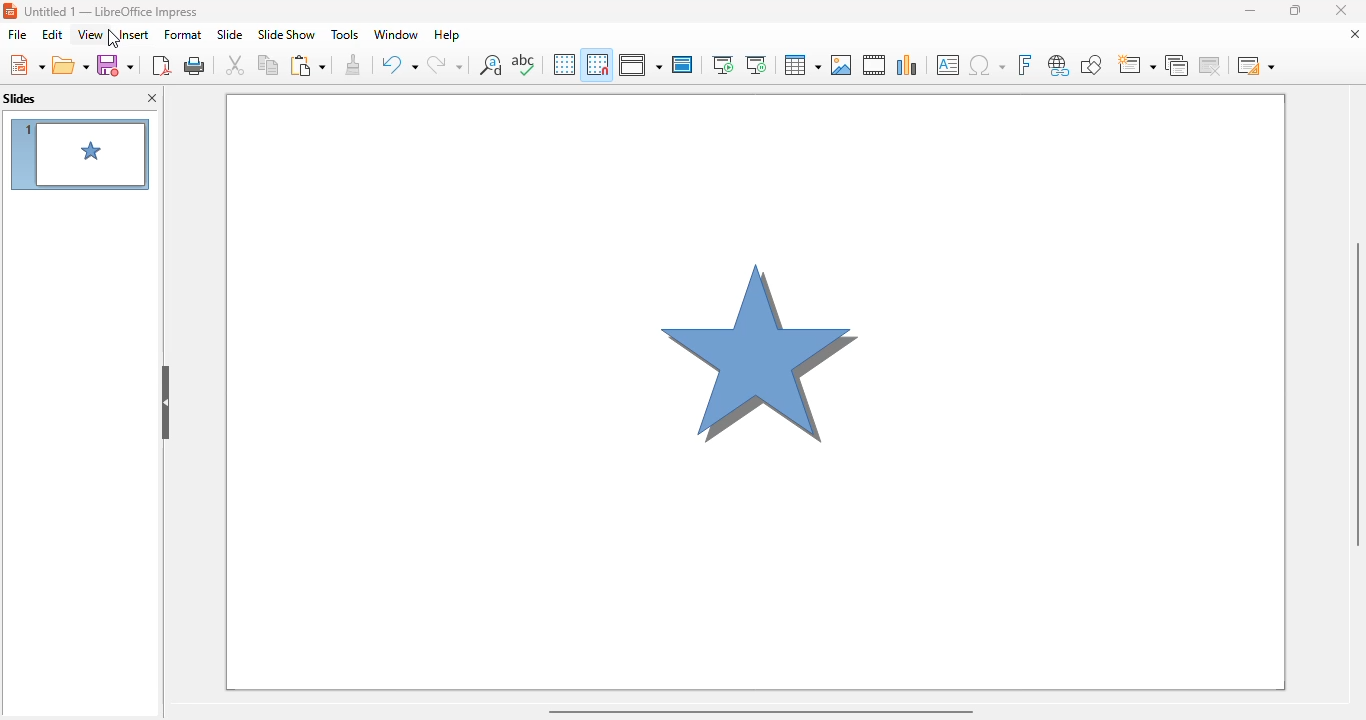 The image size is (1366, 720). I want to click on slide layout, so click(1256, 65).